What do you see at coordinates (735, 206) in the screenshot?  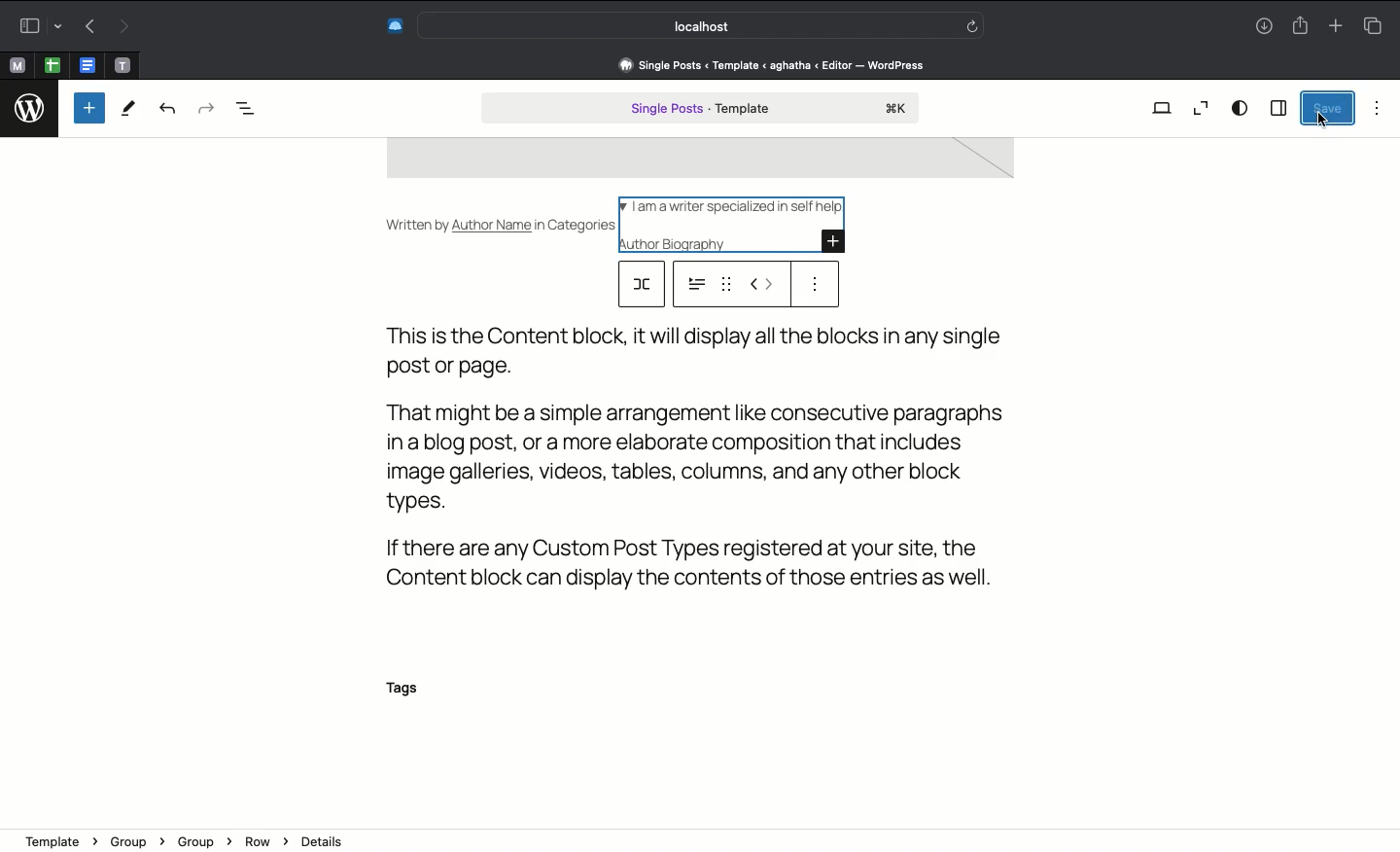 I see `I am a writer specialized in self help` at bounding box center [735, 206].